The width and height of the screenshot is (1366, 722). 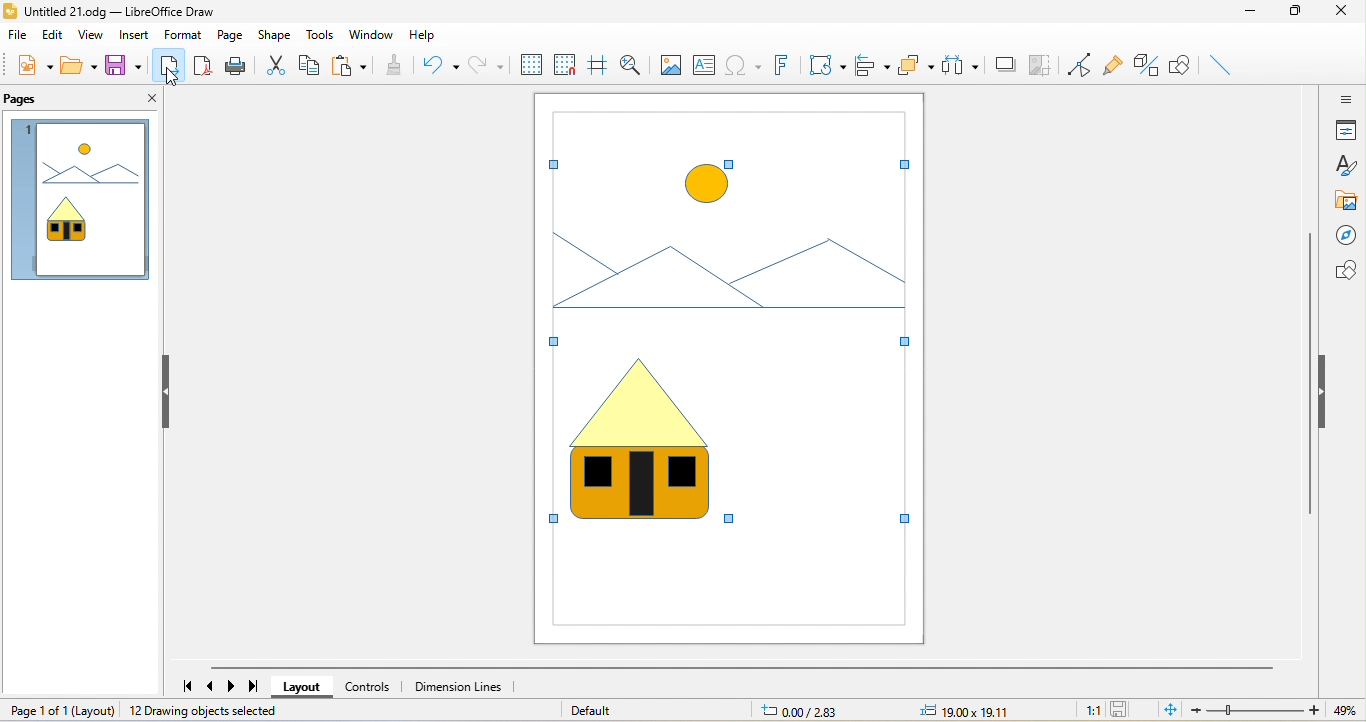 What do you see at coordinates (1118, 68) in the screenshot?
I see `show gluepoint functions` at bounding box center [1118, 68].